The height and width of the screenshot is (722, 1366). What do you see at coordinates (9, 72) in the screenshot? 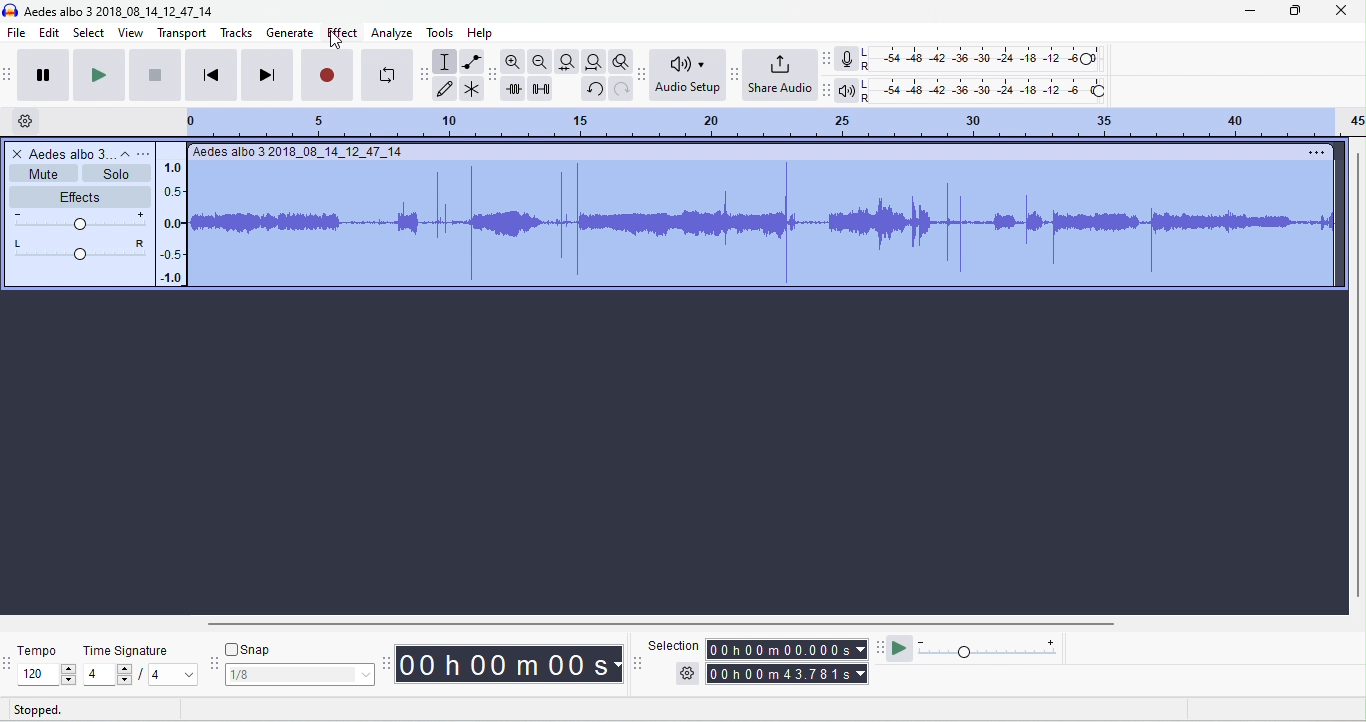
I see `audacity transport toolbar` at bounding box center [9, 72].